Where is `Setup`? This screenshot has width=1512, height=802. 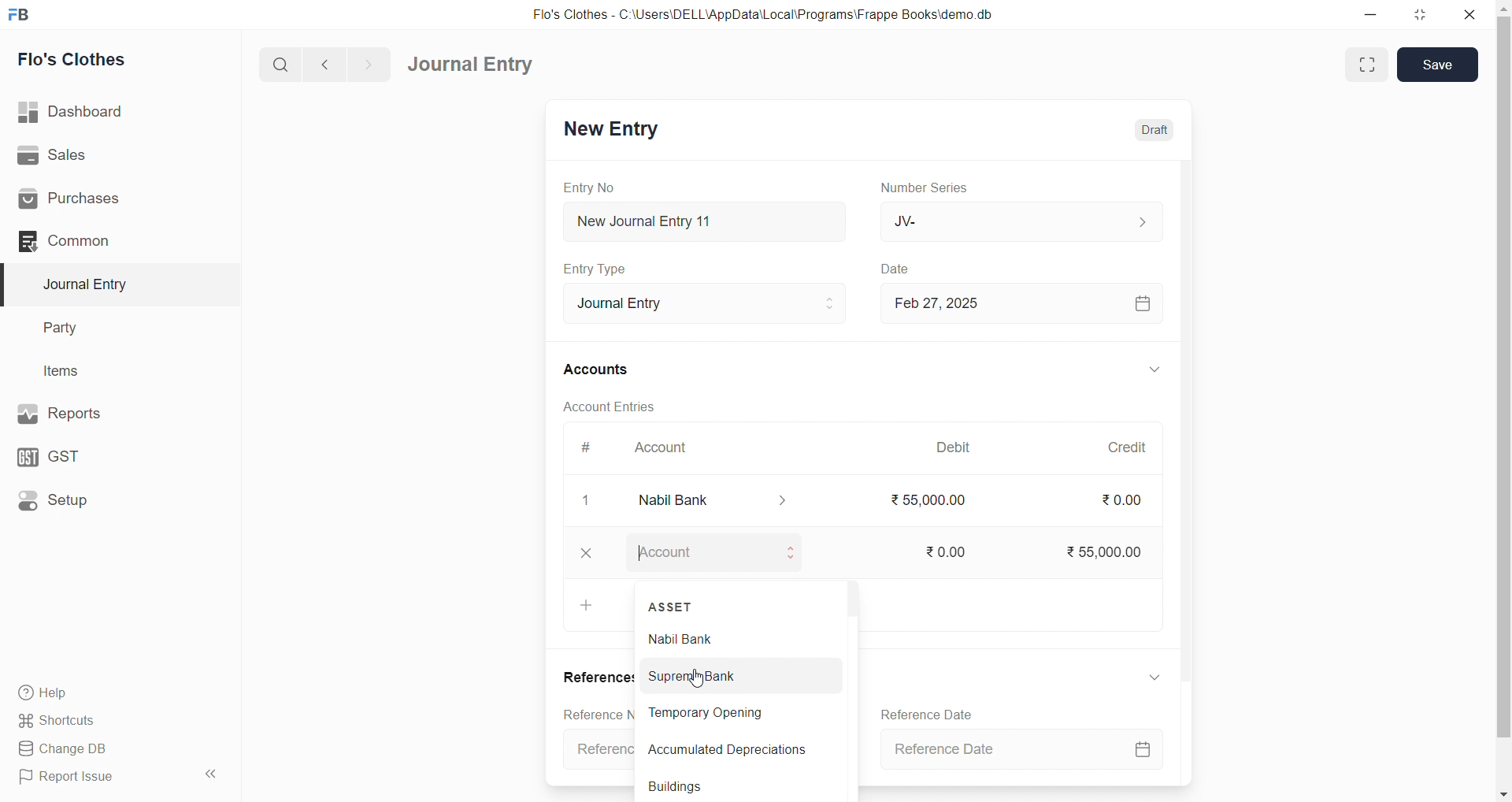 Setup is located at coordinates (91, 503).